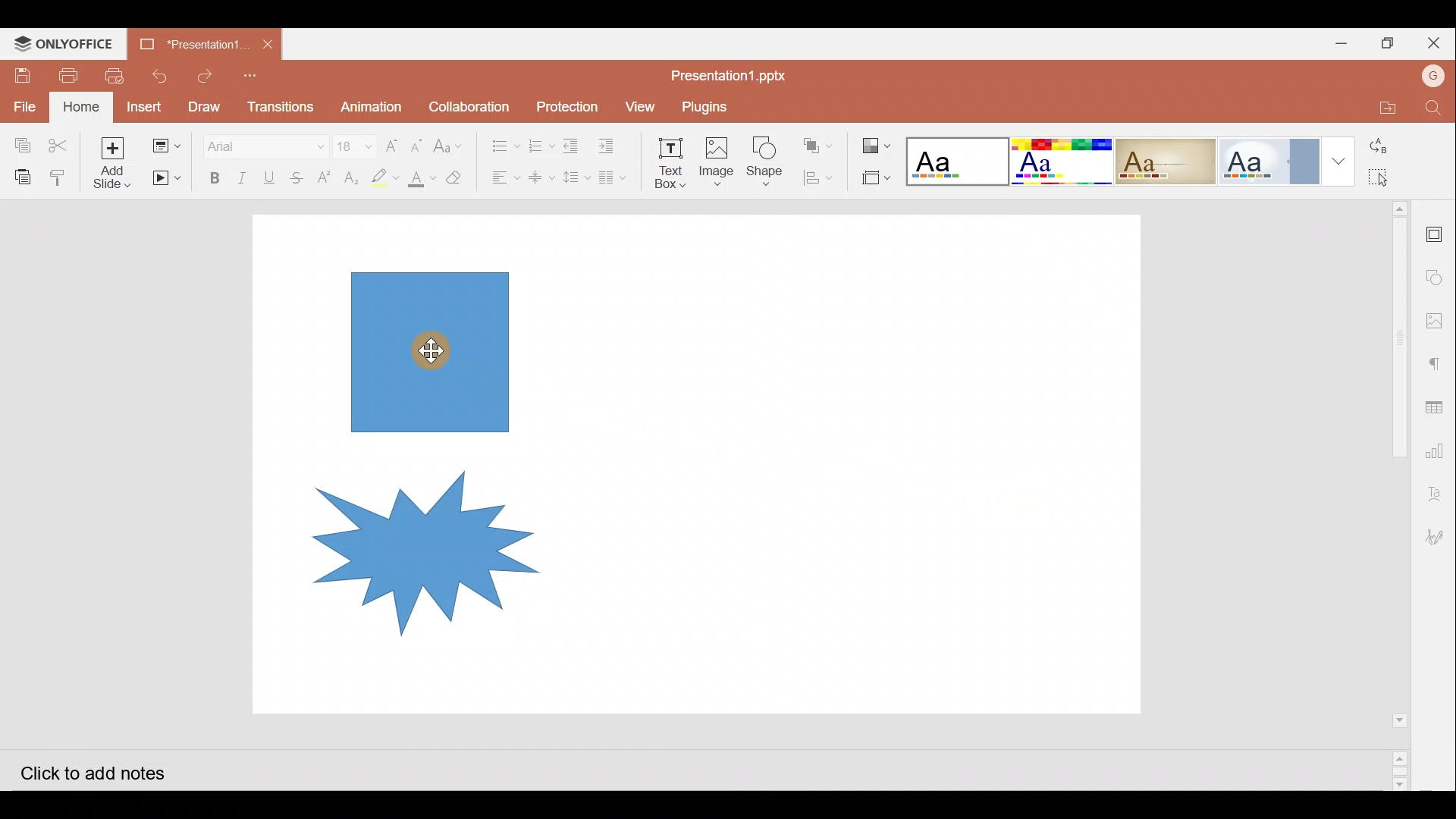 This screenshot has width=1456, height=819. What do you see at coordinates (323, 178) in the screenshot?
I see `Superscript` at bounding box center [323, 178].